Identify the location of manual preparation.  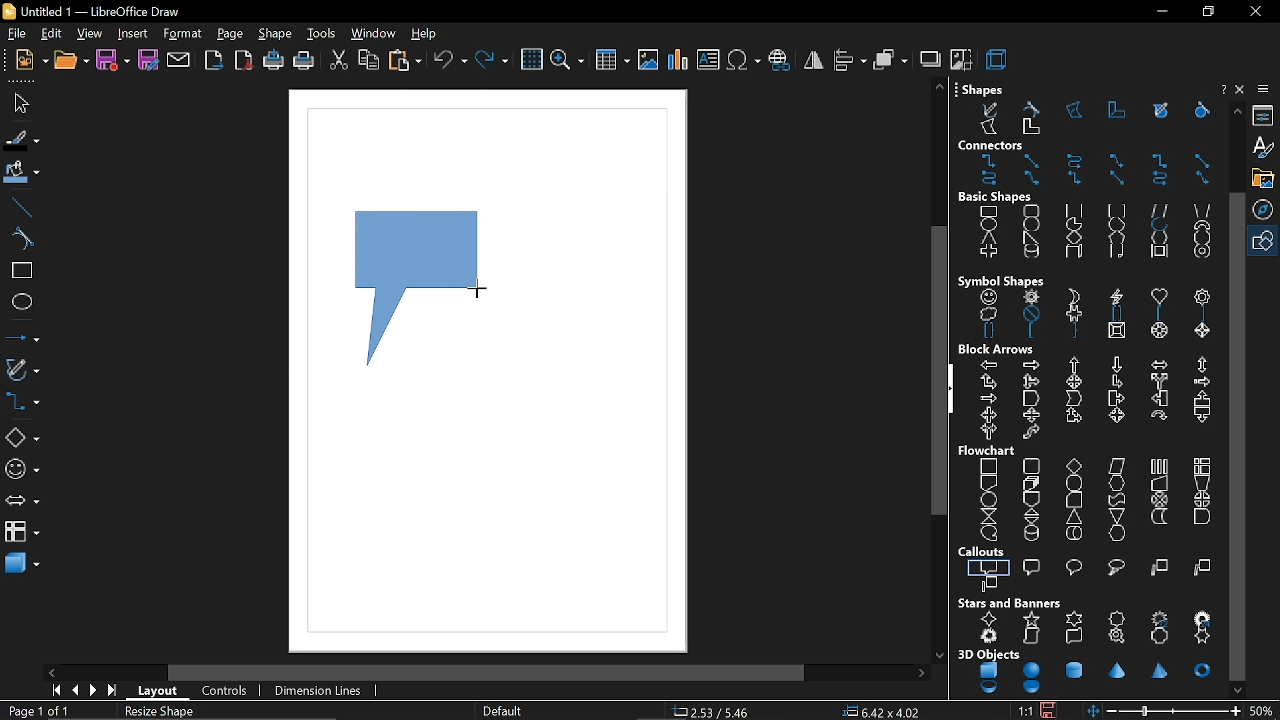
(1202, 482).